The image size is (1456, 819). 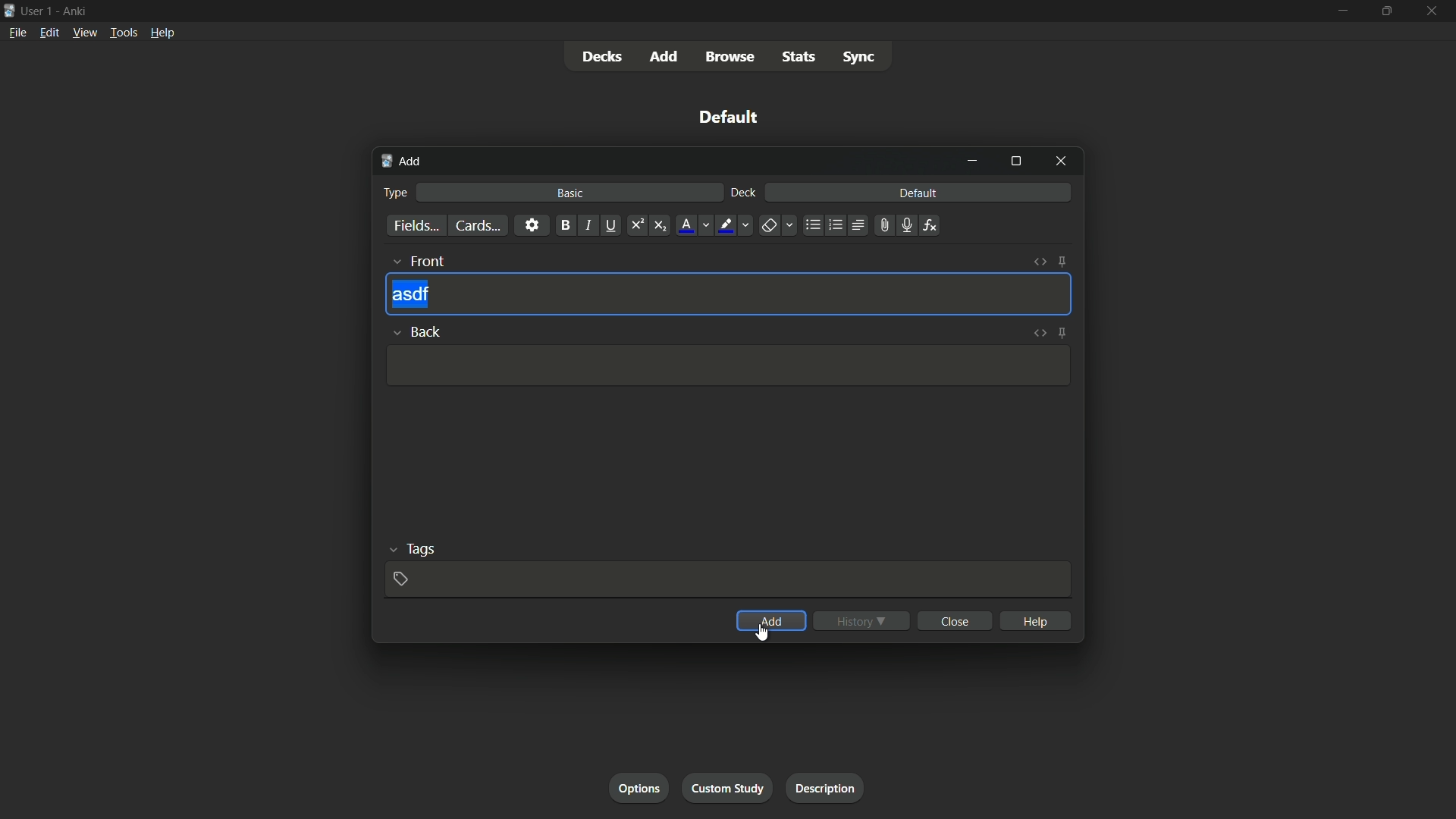 What do you see at coordinates (772, 620) in the screenshot?
I see `add` at bounding box center [772, 620].